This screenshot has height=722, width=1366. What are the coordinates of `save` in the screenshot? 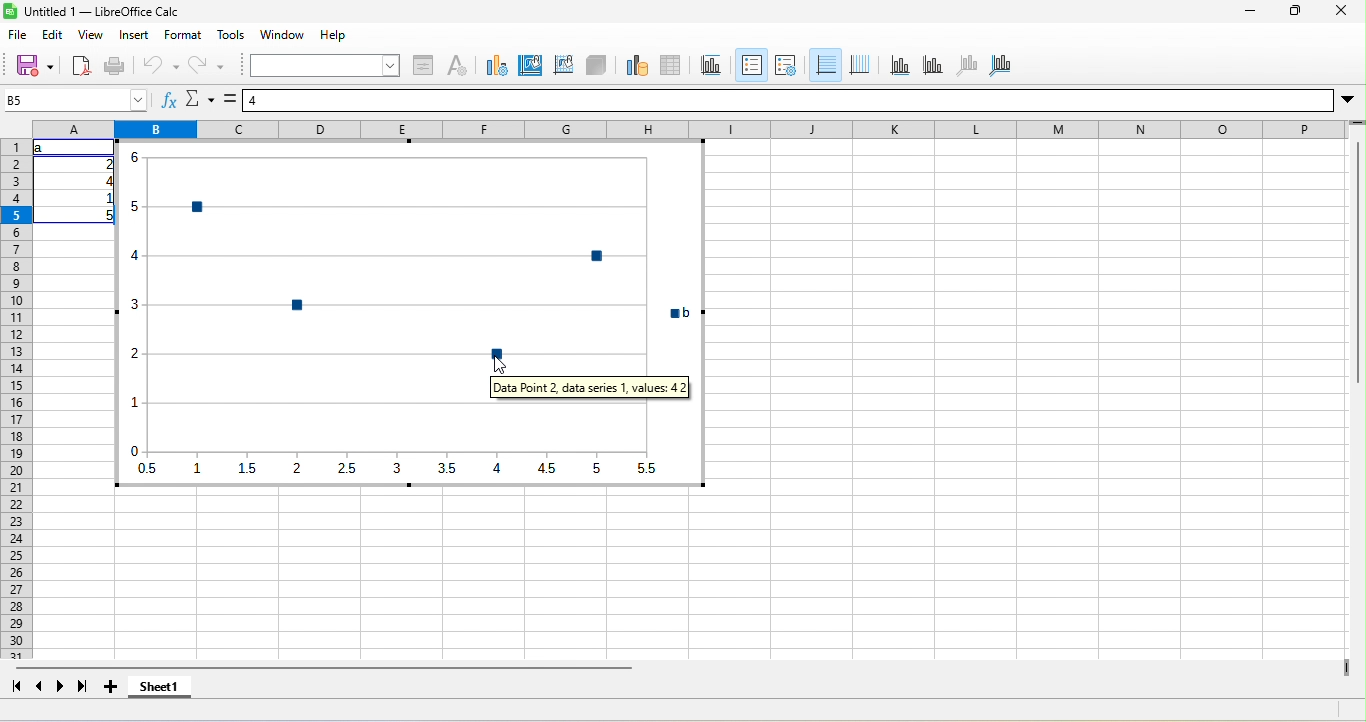 It's located at (34, 66).